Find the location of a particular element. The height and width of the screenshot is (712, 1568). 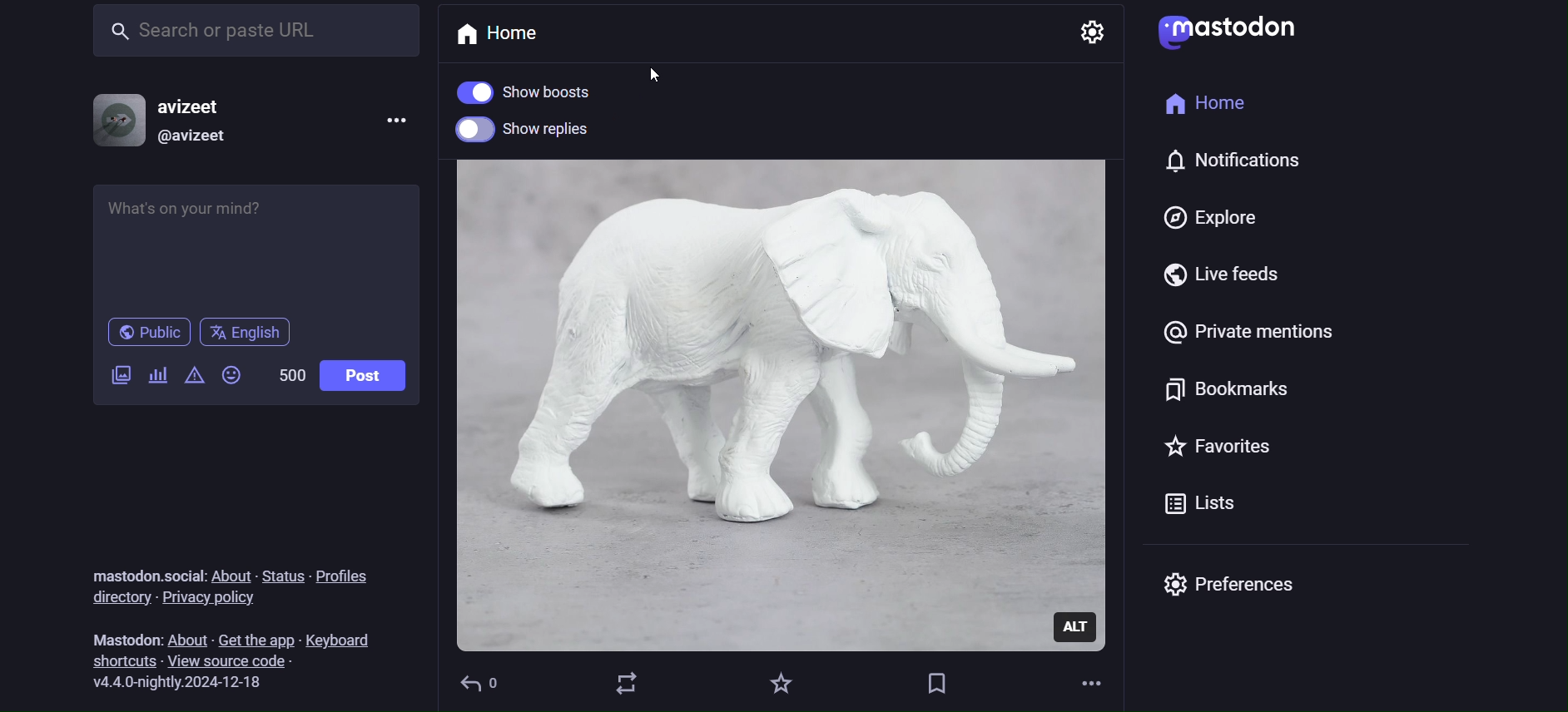

whats on your mind is located at coordinates (254, 248).